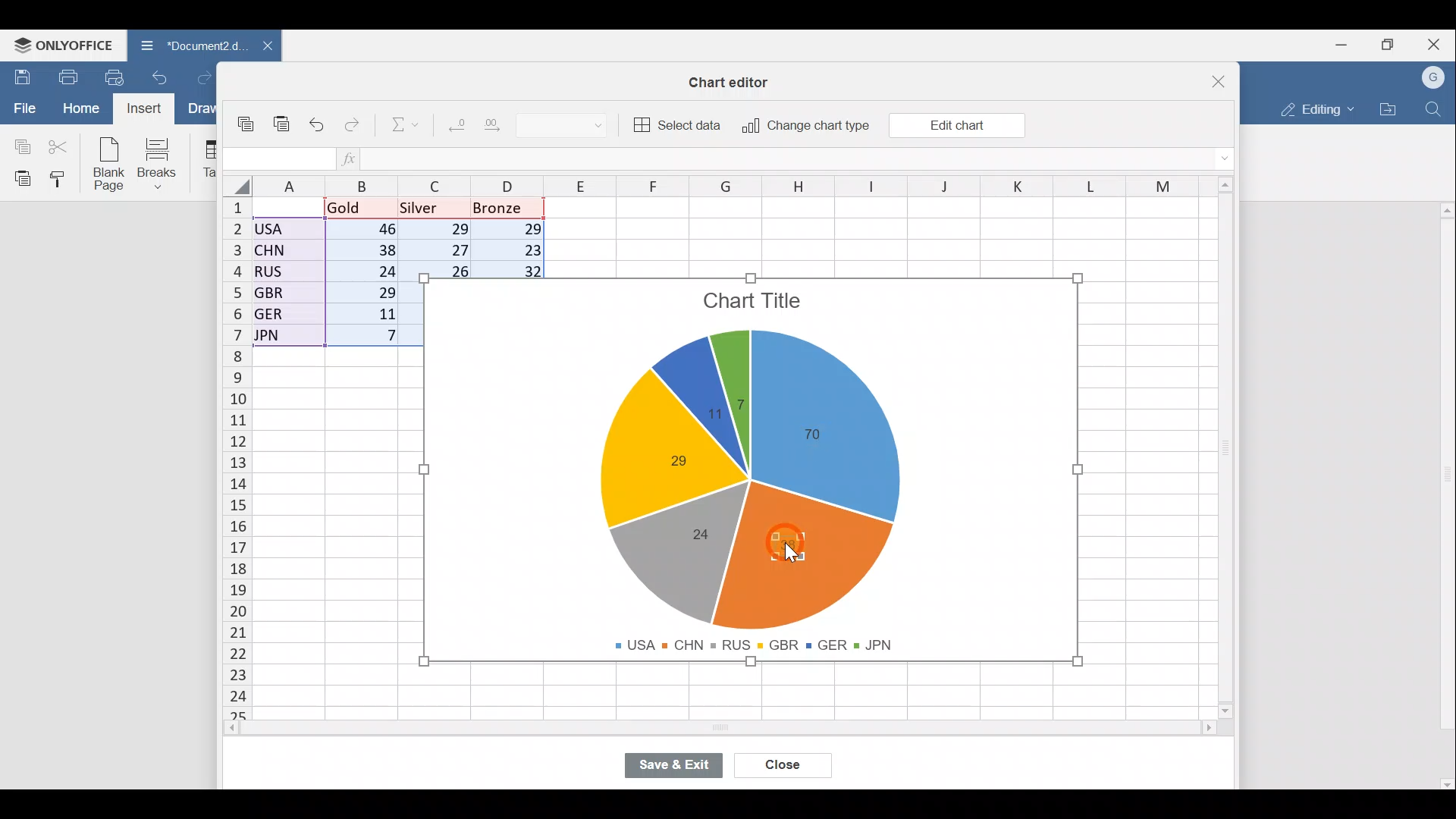 The height and width of the screenshot is (819, 1456). Describe the element at coordinates (1436, 106) in the screenshot. I see `Find` at that location.